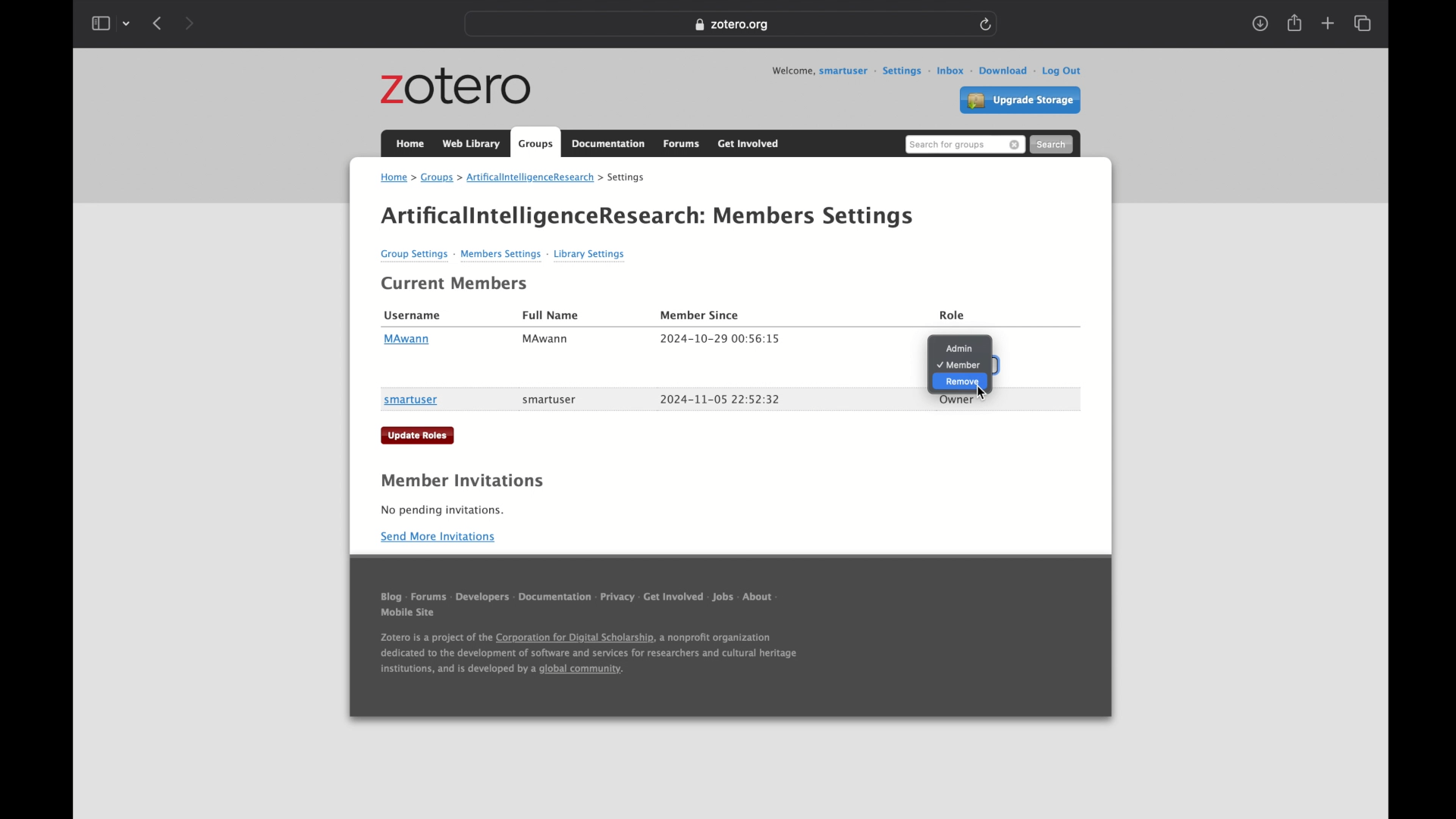  I want to click on forums, so click(428, 600).